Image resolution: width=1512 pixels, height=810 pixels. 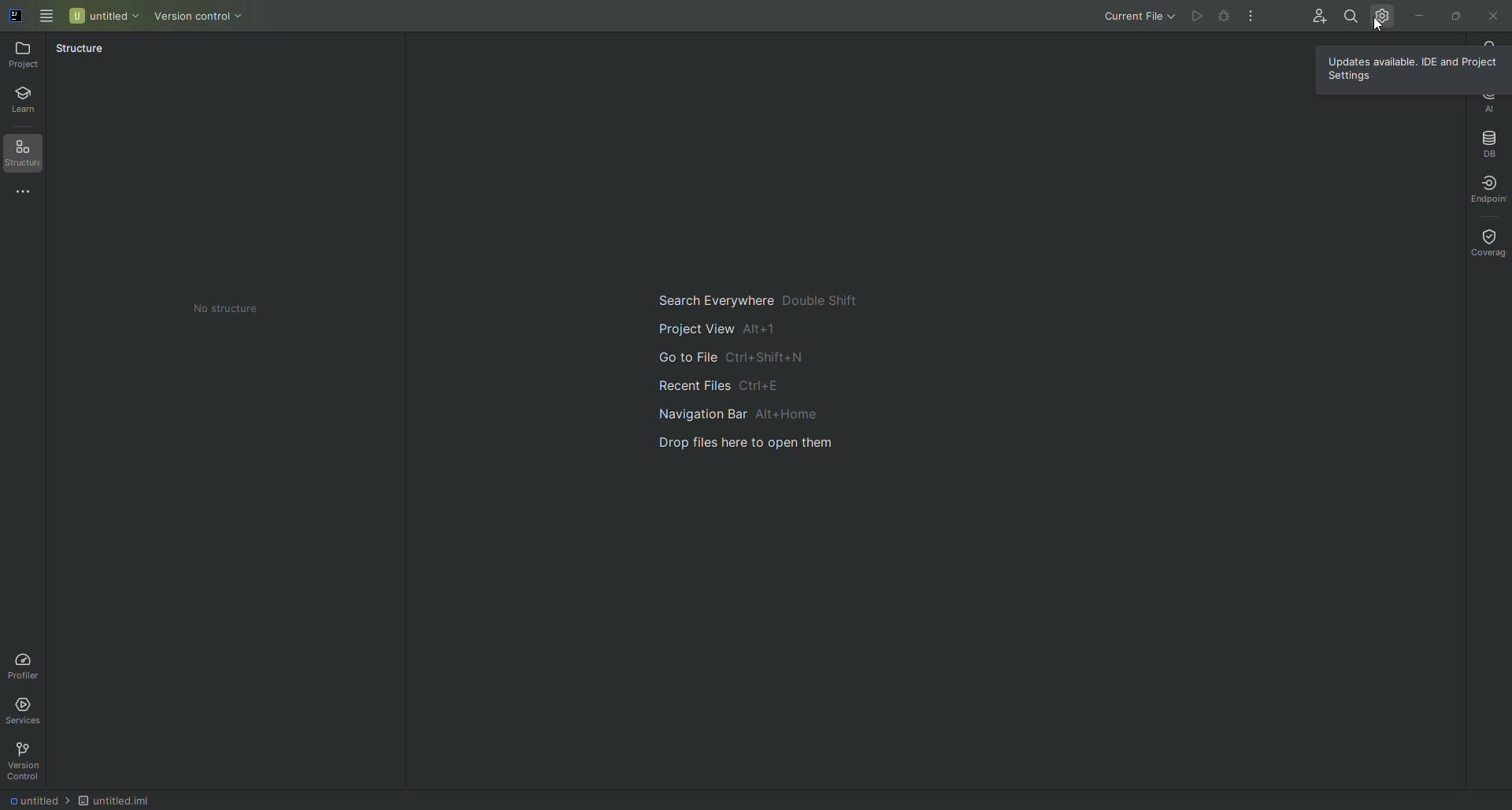 I want to click on Notifications, so click(x=1491, y=42).